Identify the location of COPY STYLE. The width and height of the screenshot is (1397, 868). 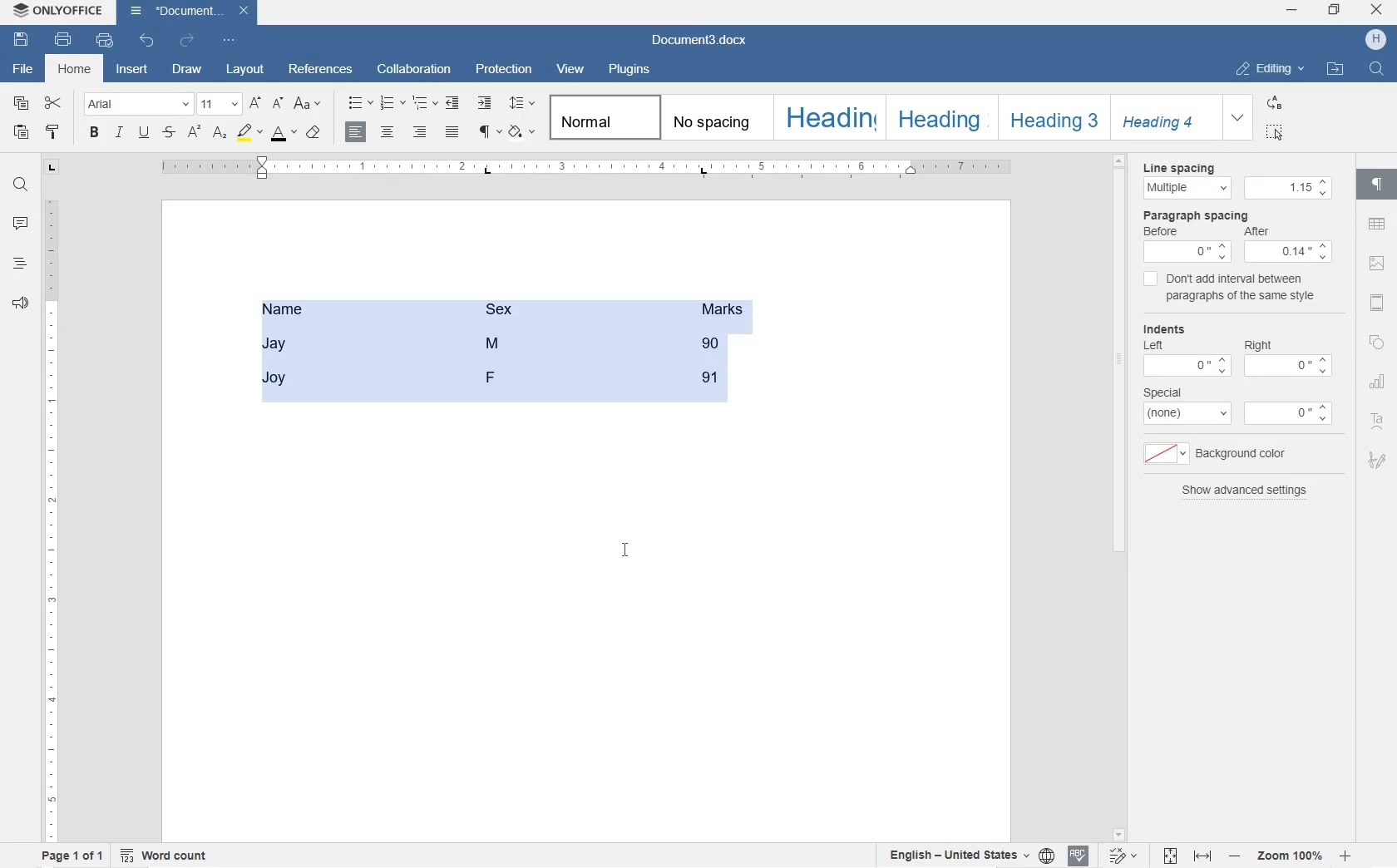
(52, 131).